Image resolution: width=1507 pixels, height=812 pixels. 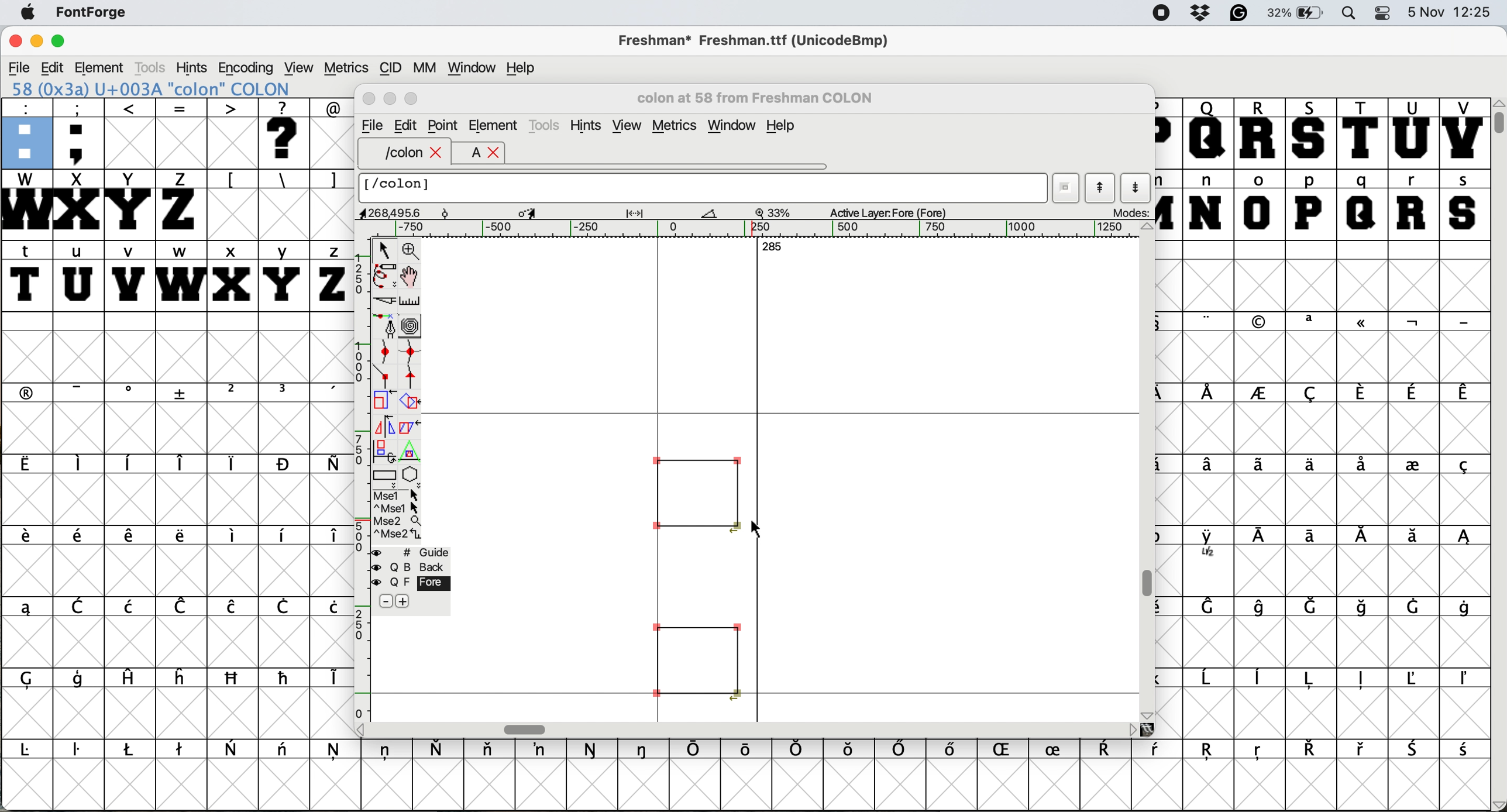 I want to click on symbol, so click(x=183, y=463).